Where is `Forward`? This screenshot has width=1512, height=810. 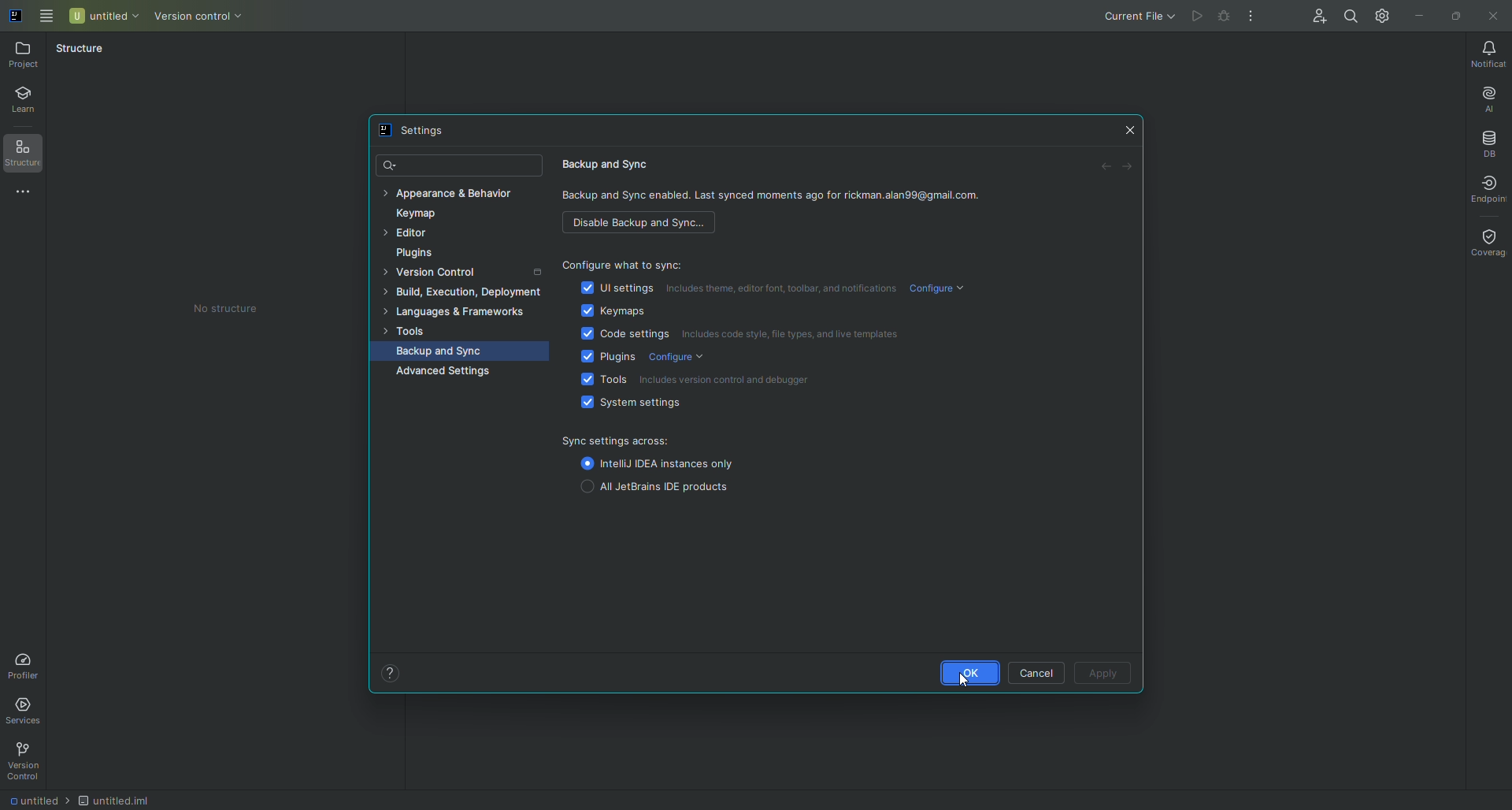
Forward is located at coordinates (1128, 169).